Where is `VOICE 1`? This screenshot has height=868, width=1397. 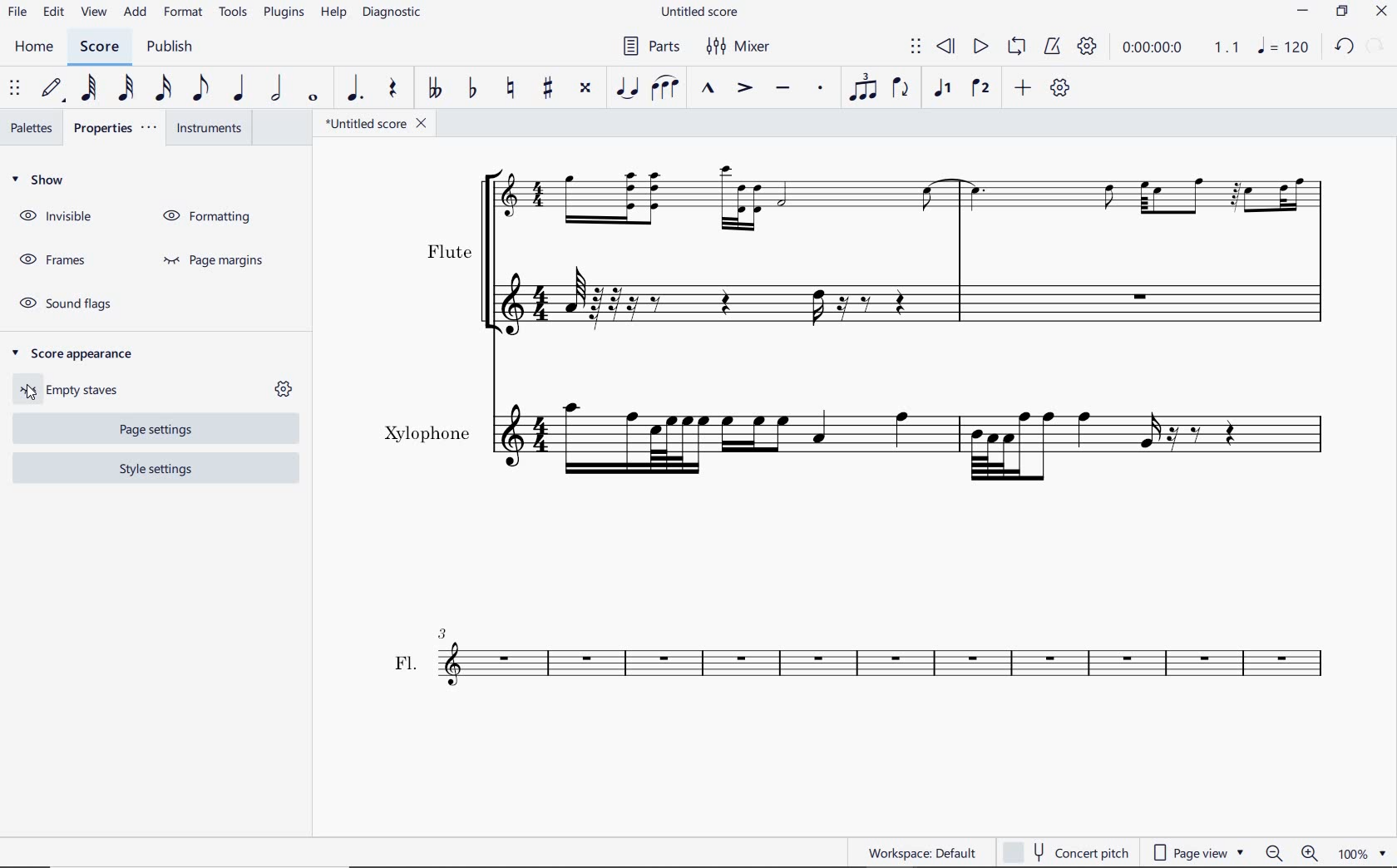 VOICE 1 is located at coordinates (943, 88).